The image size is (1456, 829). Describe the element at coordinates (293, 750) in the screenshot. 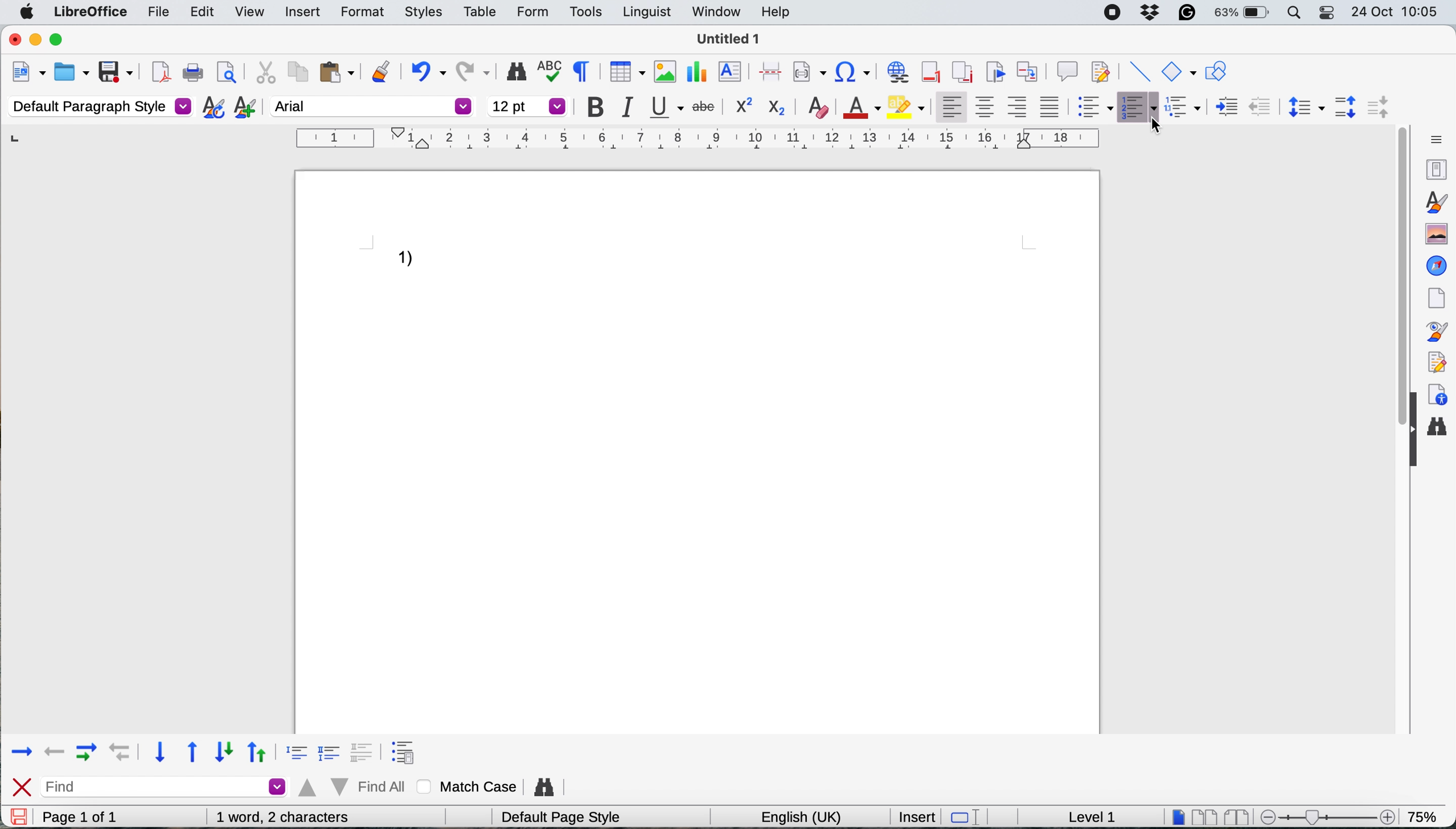

I see `format 1` at that location.